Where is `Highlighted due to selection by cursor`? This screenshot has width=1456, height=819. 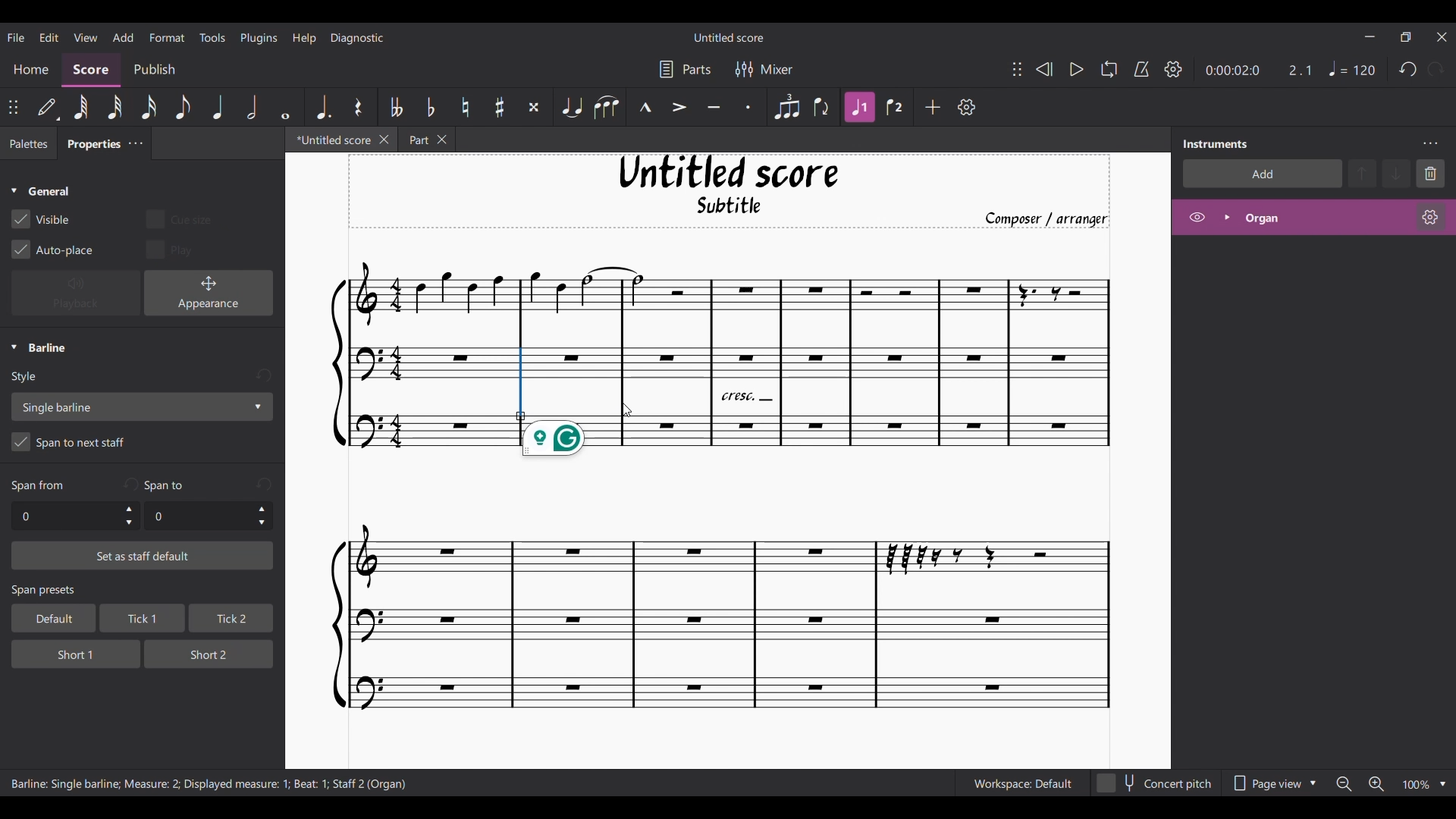
Highlighted due to selection by cursor is located at coordinates (521, 384).